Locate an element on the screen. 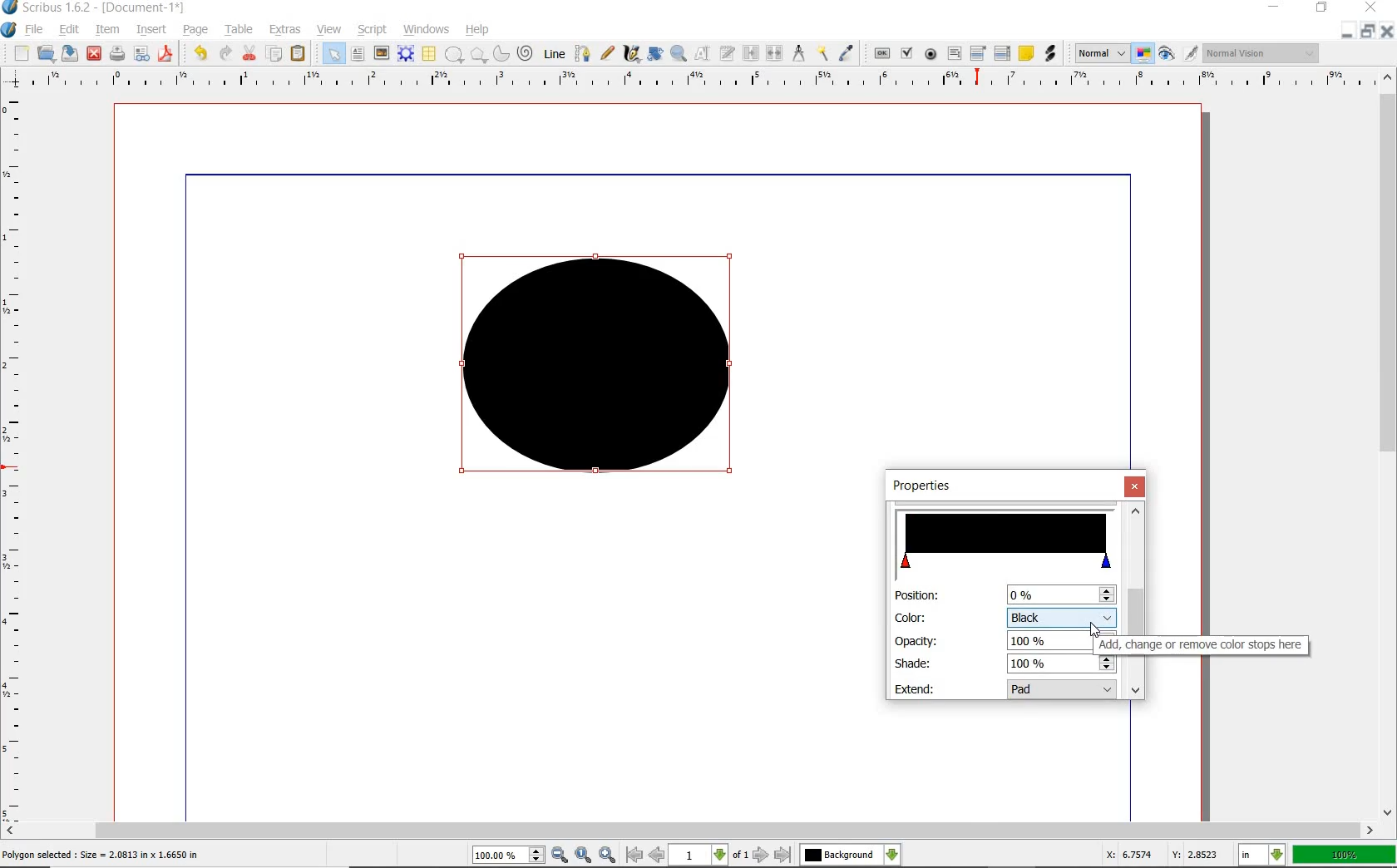 This screenshot has height=868, width=1397. UNDO is located at coordinates (200, 53).